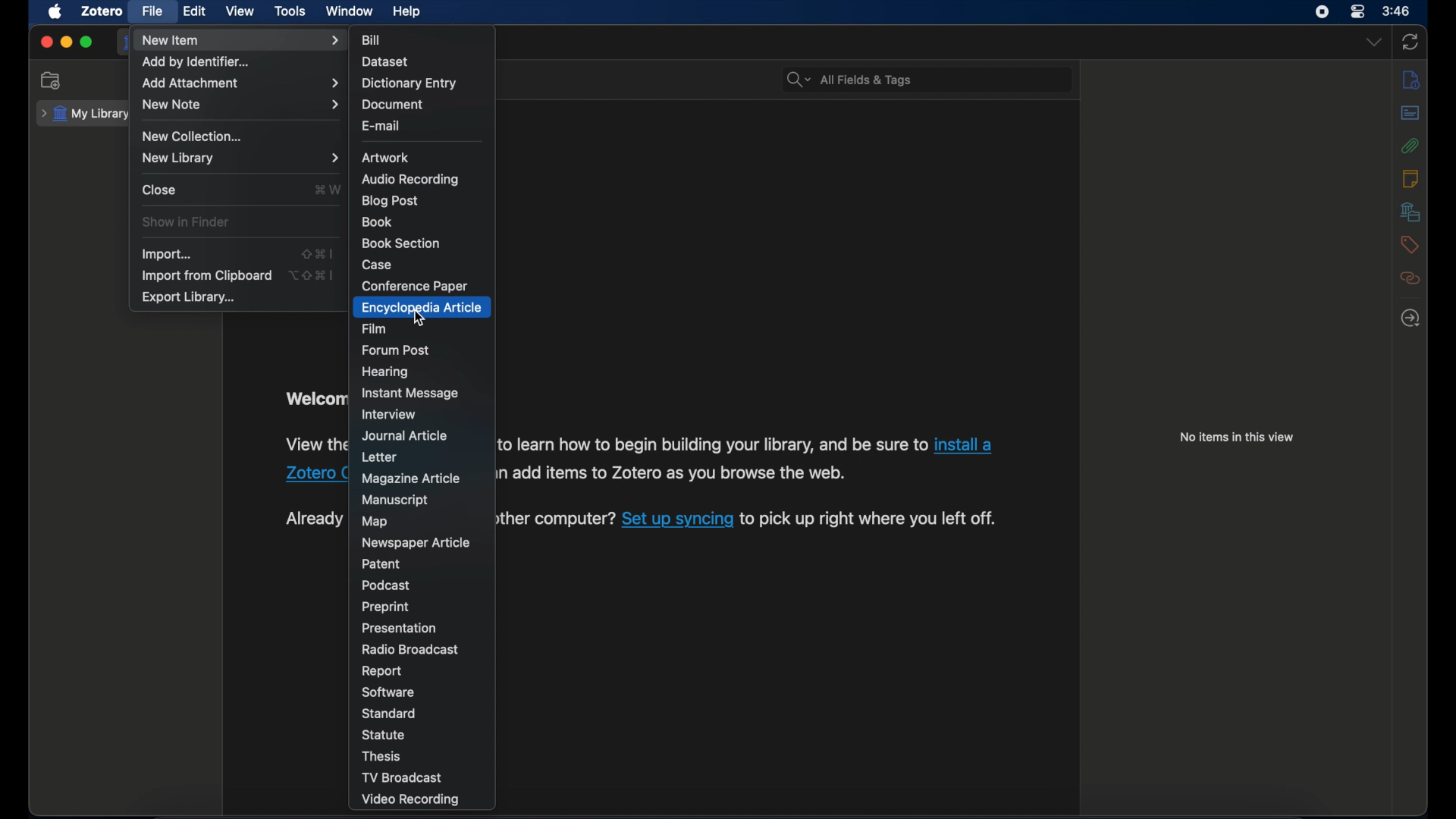 The image size is (1456, 819). Describe the element at coordinates (384, 734) in the screenshot. I see `statue` at that location.